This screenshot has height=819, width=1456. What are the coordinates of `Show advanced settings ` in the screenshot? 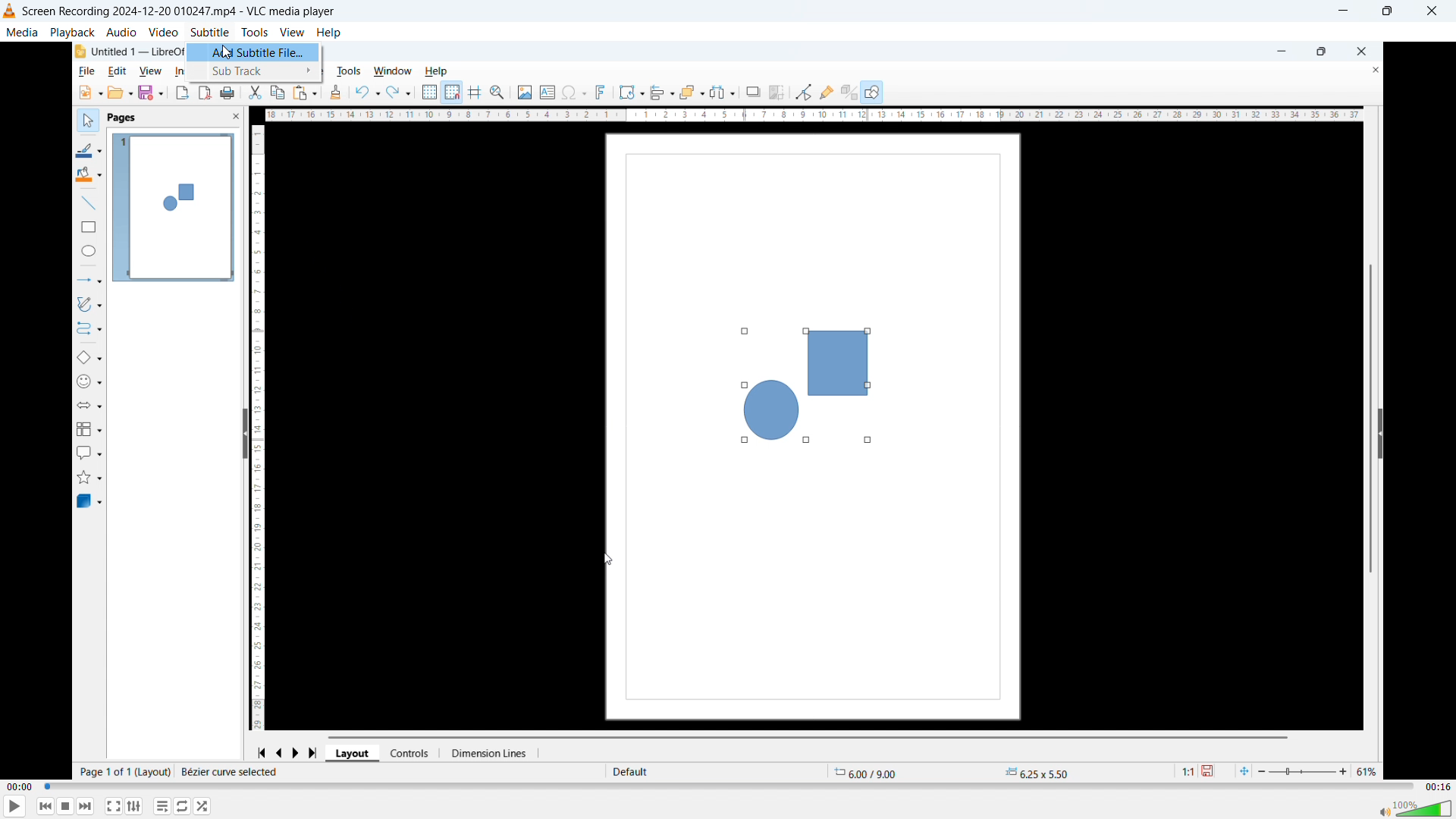 It's located at (134, 806).